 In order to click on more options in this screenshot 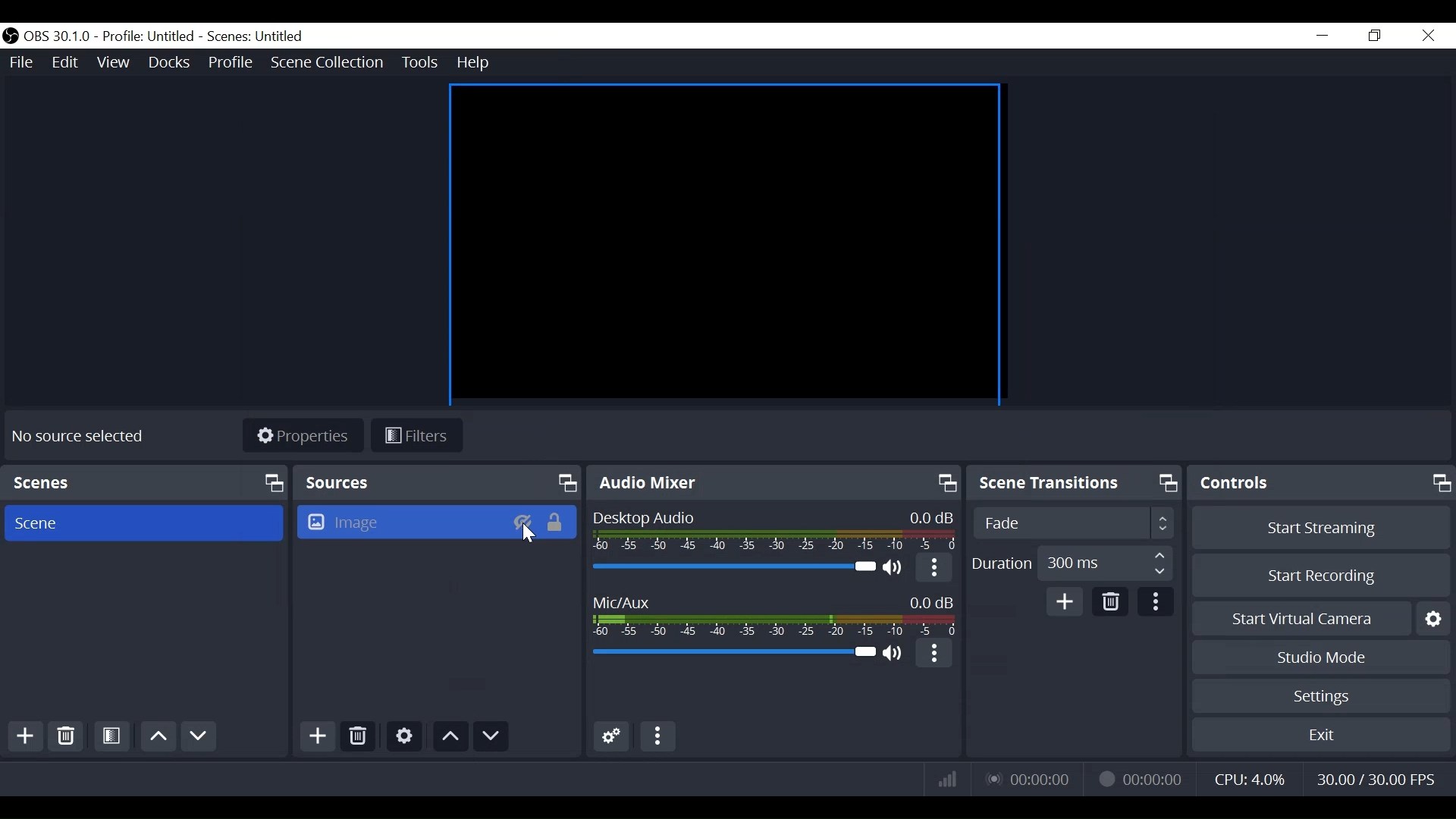, I will do `click(935, 656)`.